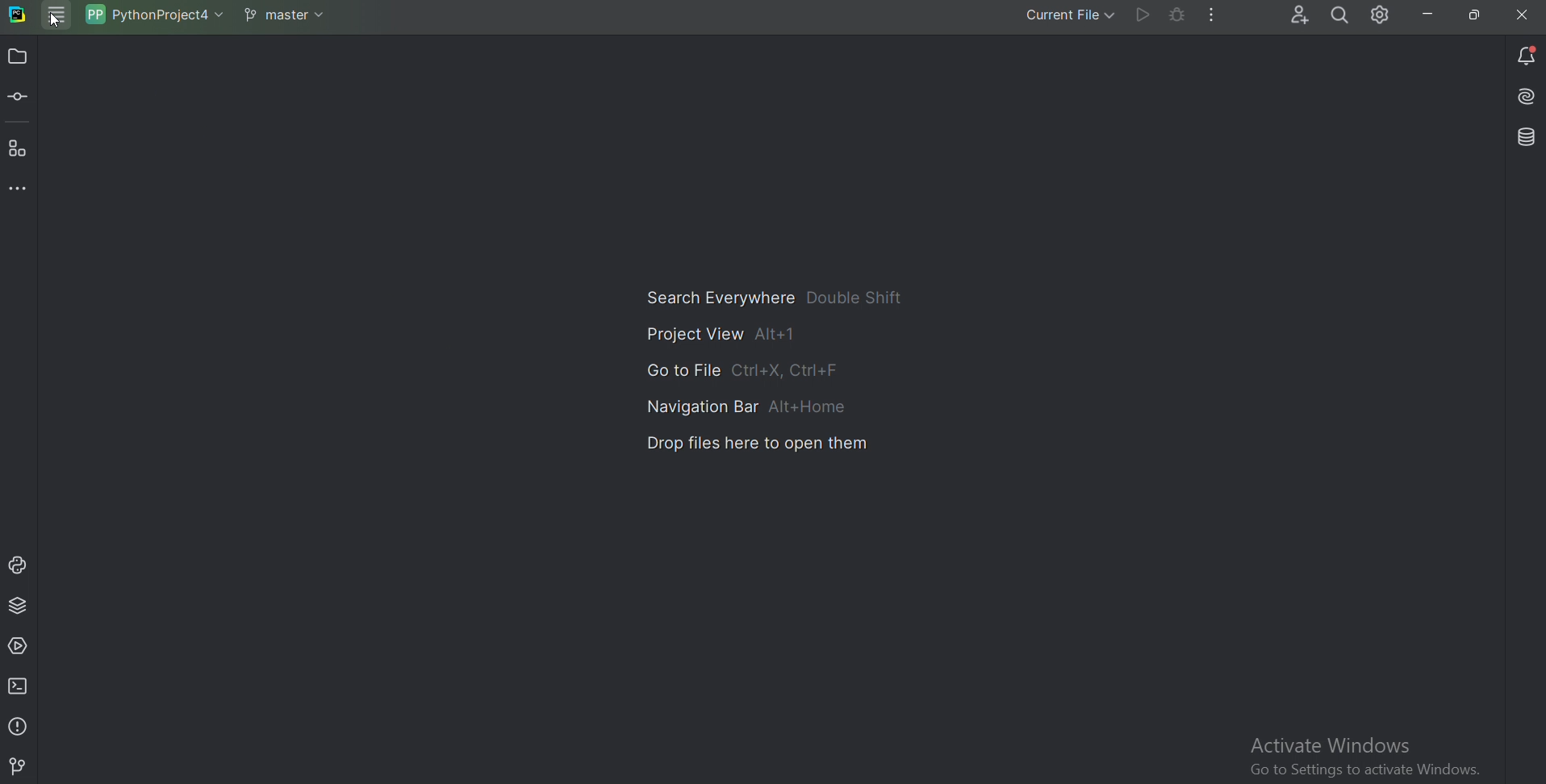 This screenshot has height=784, width=1546. What do you see at coordinates (21, 565) in the screenshot?
I see `Python console` at bounding box center [21, 565].